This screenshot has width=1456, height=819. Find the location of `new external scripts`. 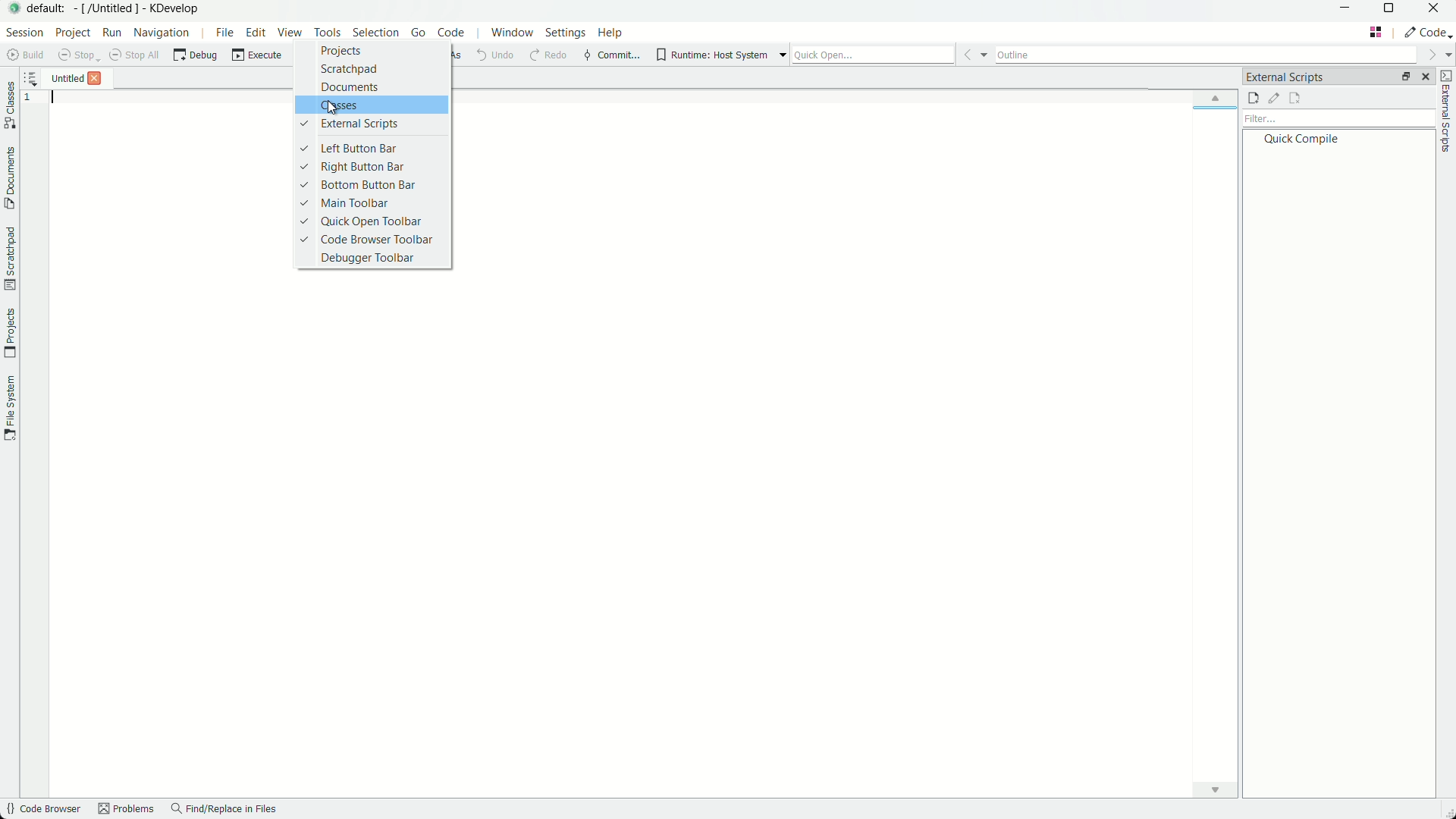

new external scripts is located at coordinates (1253, 99).